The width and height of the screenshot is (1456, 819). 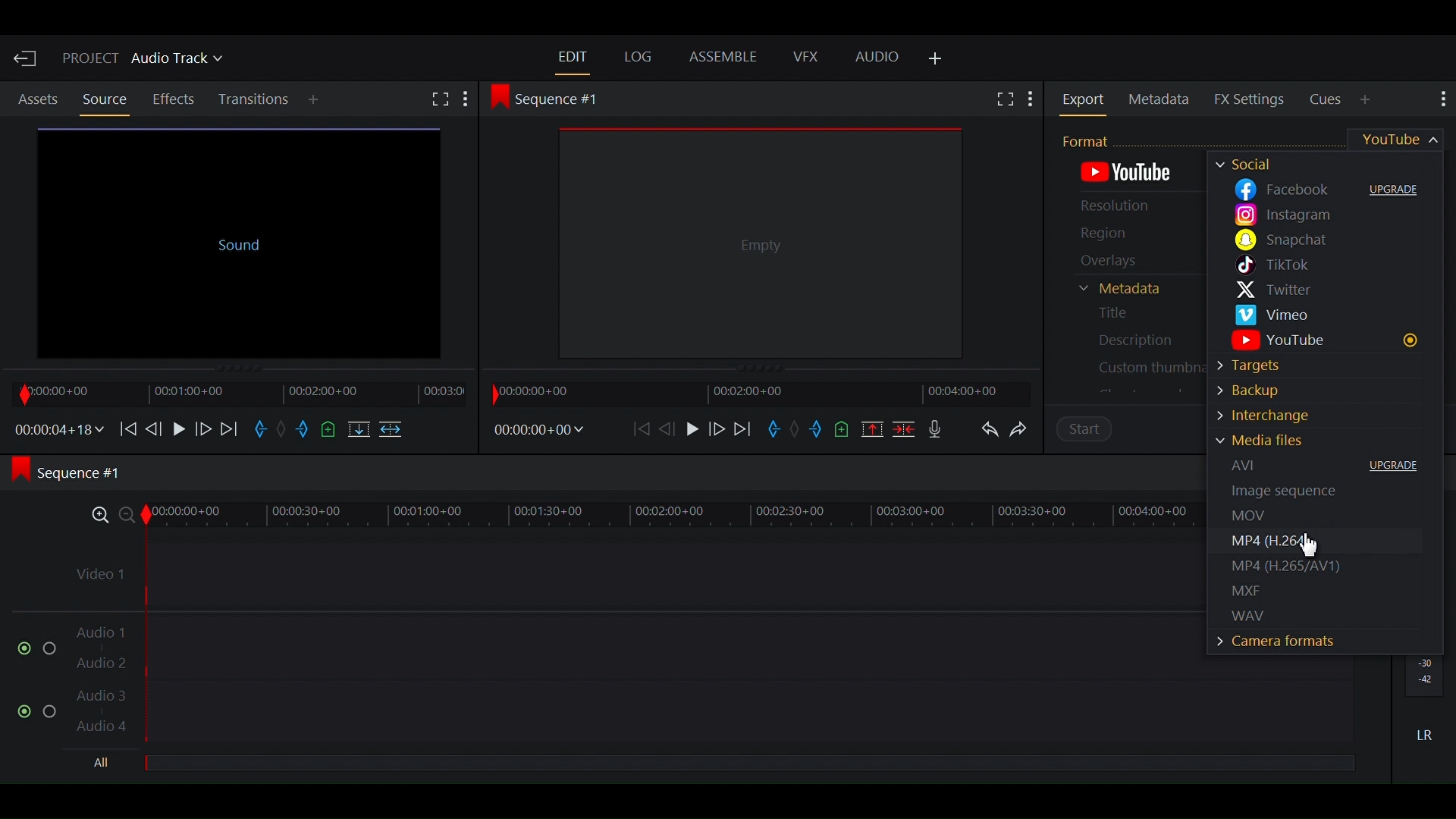 What do you see at coordinates (818, 431) in the screenshot?
I see `Mark out` at bounding box center [818, 431].